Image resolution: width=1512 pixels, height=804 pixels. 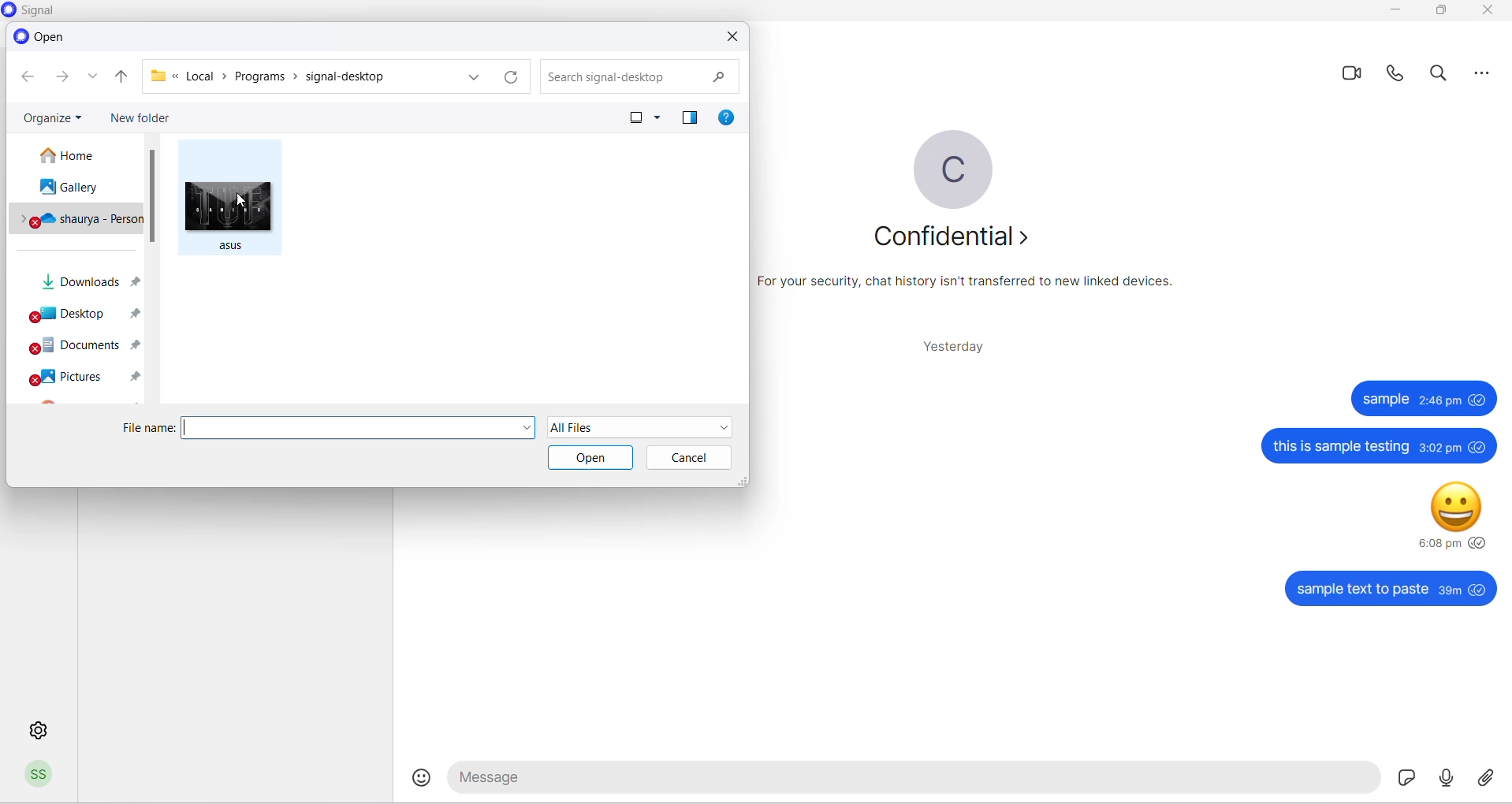 I want to click on home, so click(x=77, y=155).